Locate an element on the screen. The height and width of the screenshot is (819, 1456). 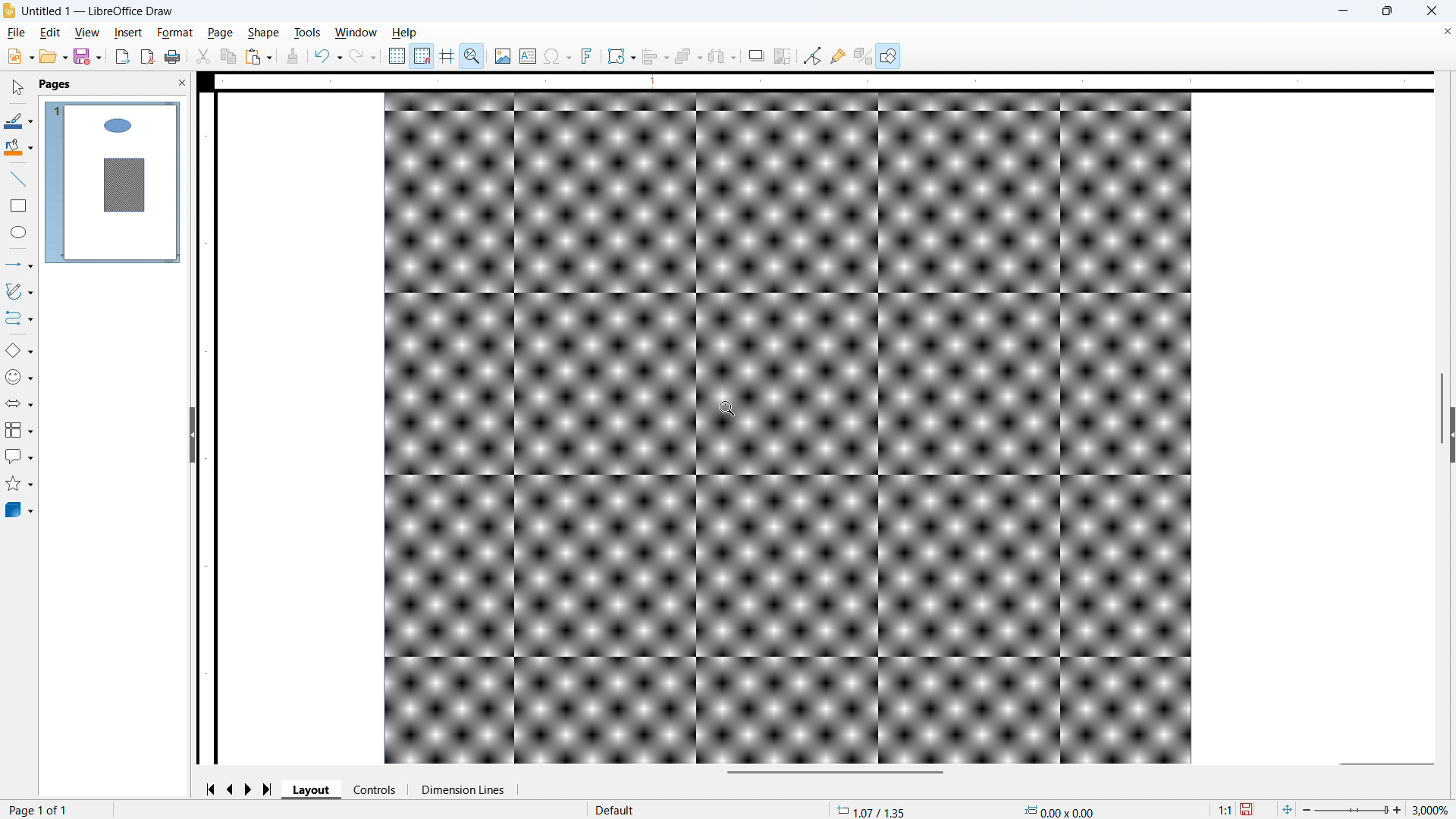
Page number  is located at coordinates (40, 811).